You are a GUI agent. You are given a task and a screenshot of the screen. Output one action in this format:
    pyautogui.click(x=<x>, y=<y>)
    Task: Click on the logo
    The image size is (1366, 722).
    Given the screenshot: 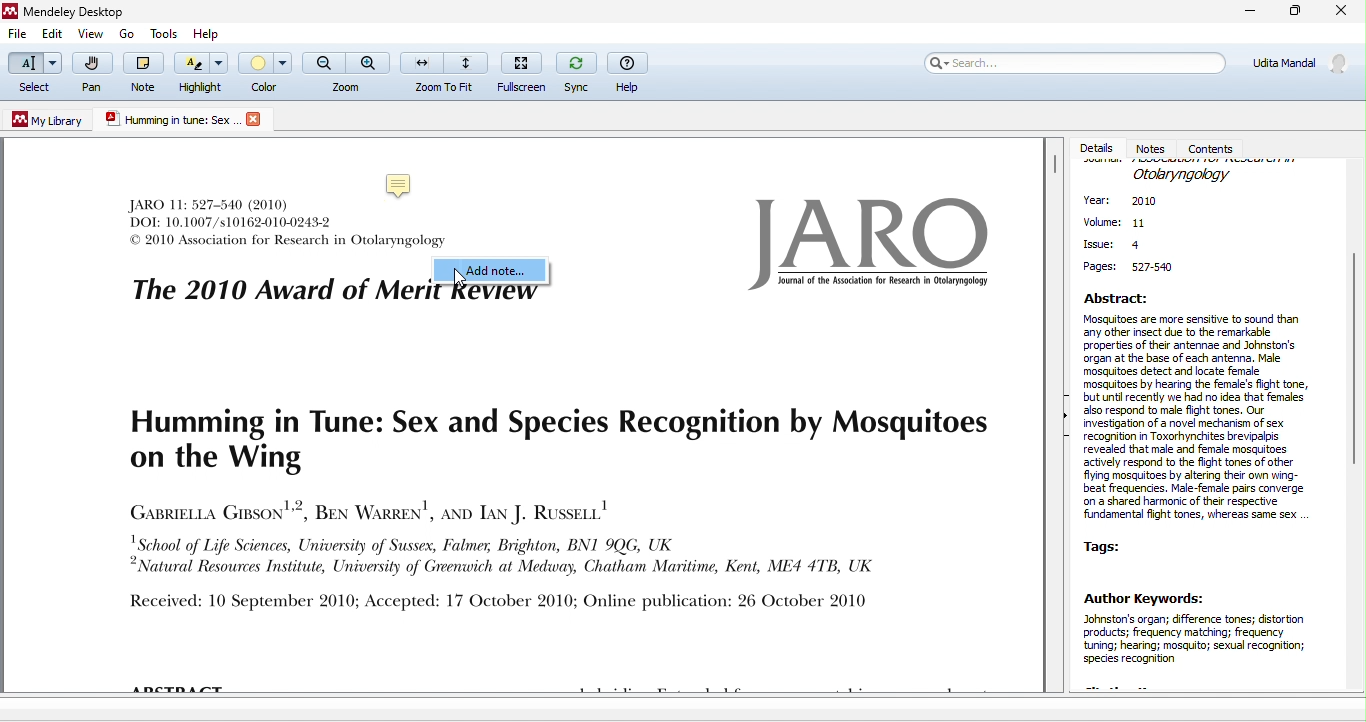 What is the action you would take?
    pyautogui.click(x=863, y=242)
    